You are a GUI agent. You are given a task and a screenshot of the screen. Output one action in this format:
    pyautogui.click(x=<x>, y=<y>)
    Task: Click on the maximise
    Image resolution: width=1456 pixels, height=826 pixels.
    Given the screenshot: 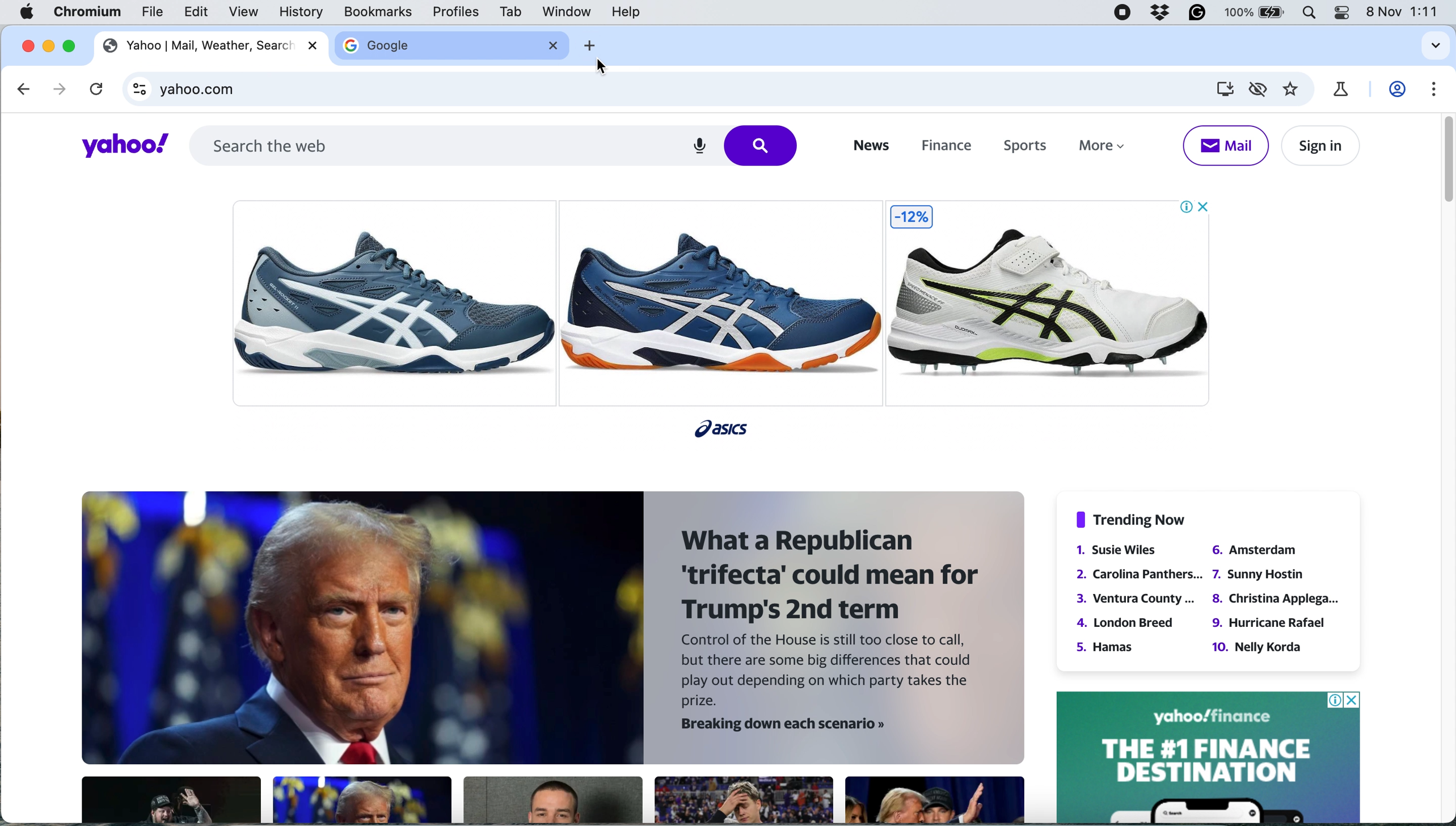 What is the action you would take?
    pyautogui.click(x=74, y=45)
    